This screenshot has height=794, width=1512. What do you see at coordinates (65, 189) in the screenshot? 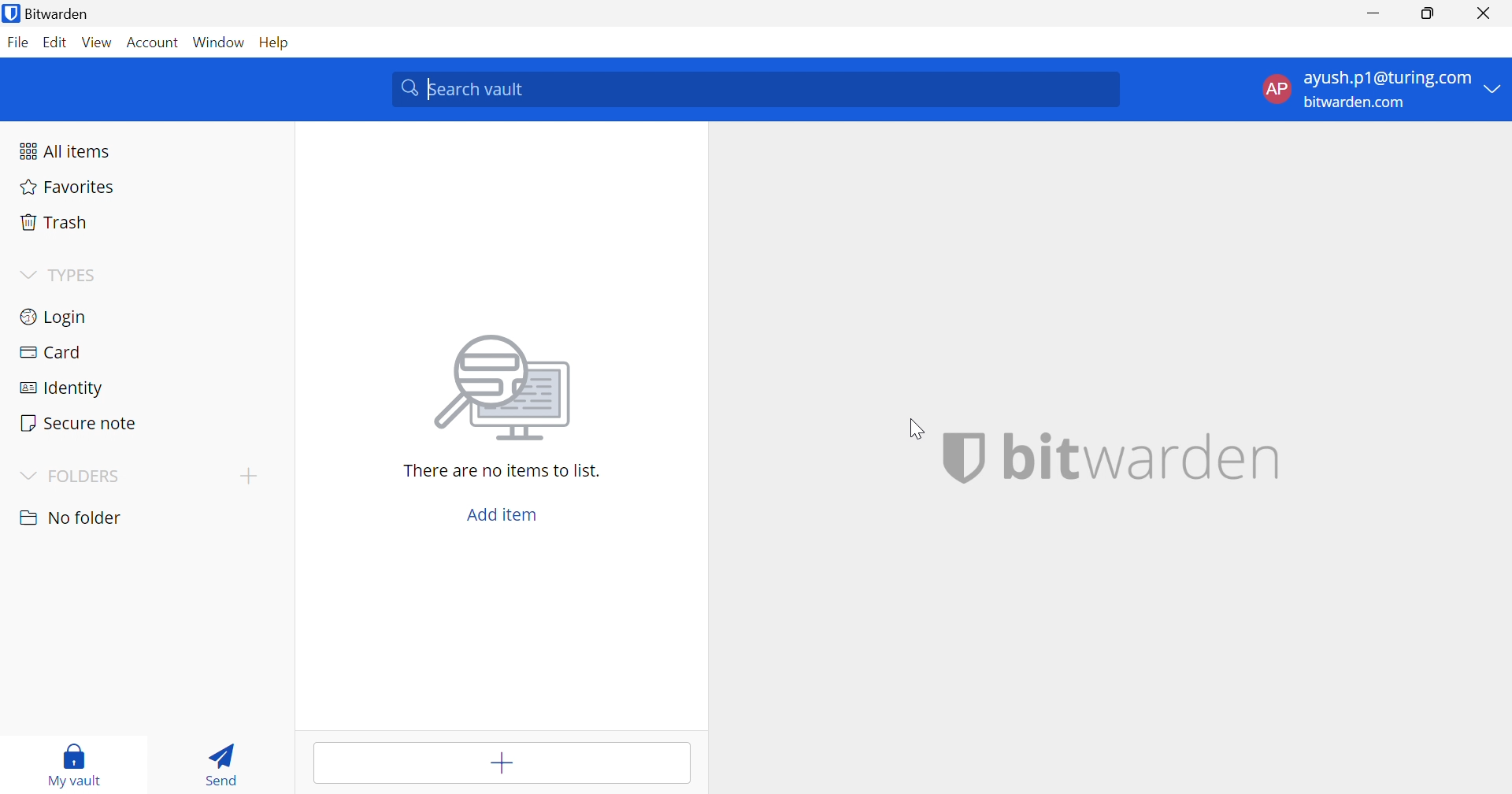
I see `Favorites` at bounding box center [65, 189].